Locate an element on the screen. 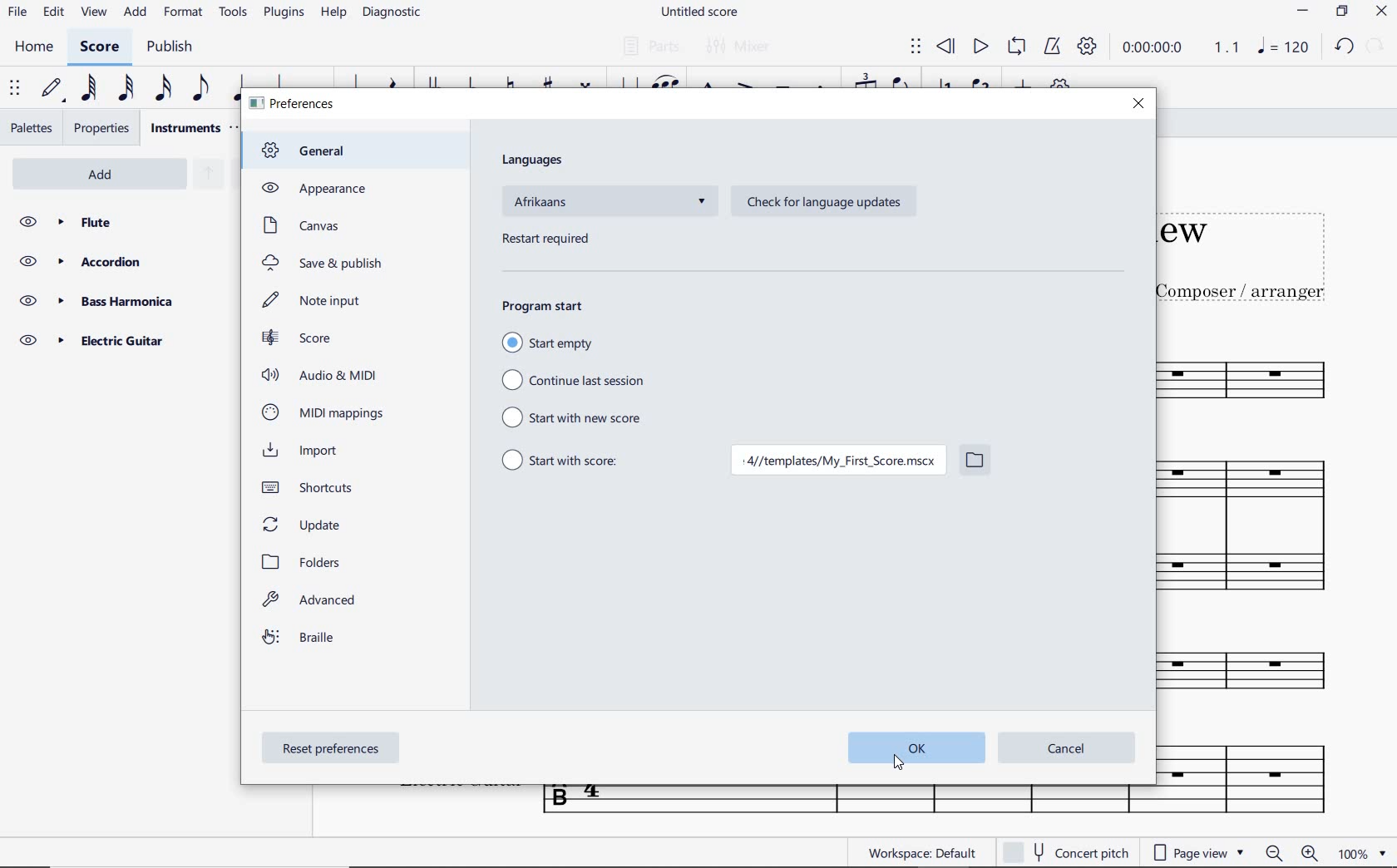 The height and width of the screenshot is (868, 1397). shortcuts is located at coordinates (314, 487).